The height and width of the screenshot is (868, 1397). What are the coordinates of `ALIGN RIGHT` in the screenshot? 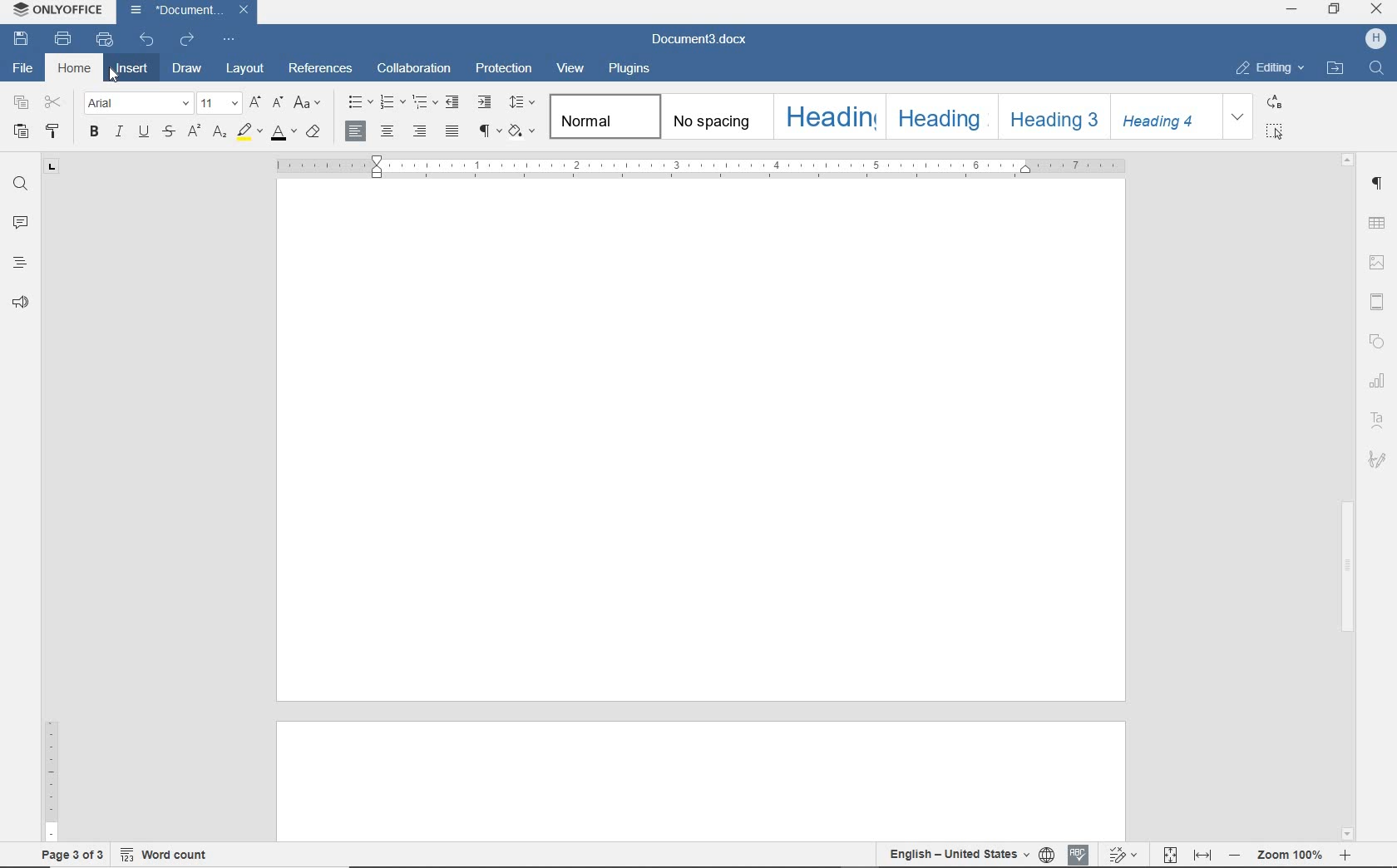 It's located at (417, 131).